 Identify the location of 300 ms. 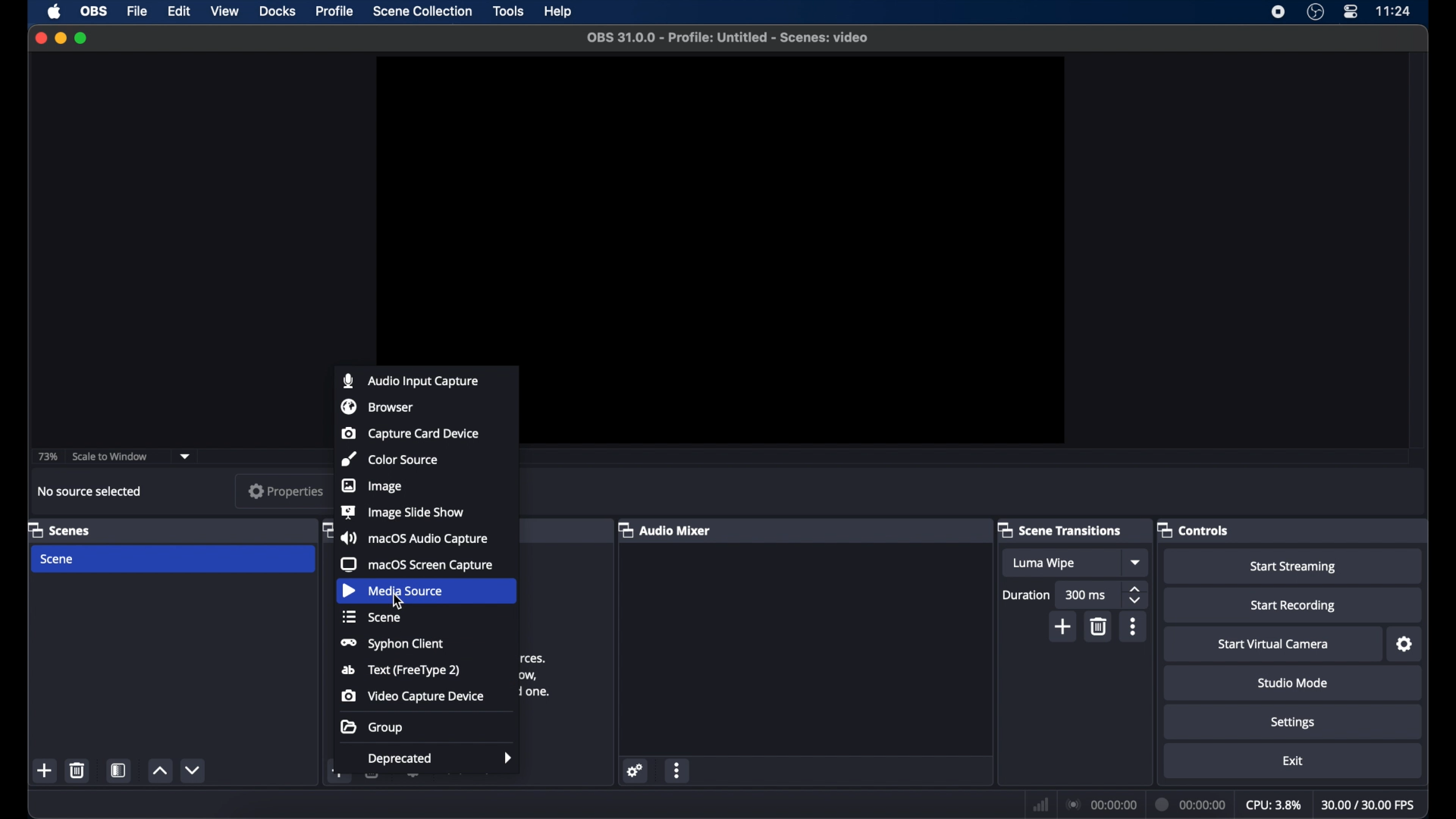
(1086, 595).